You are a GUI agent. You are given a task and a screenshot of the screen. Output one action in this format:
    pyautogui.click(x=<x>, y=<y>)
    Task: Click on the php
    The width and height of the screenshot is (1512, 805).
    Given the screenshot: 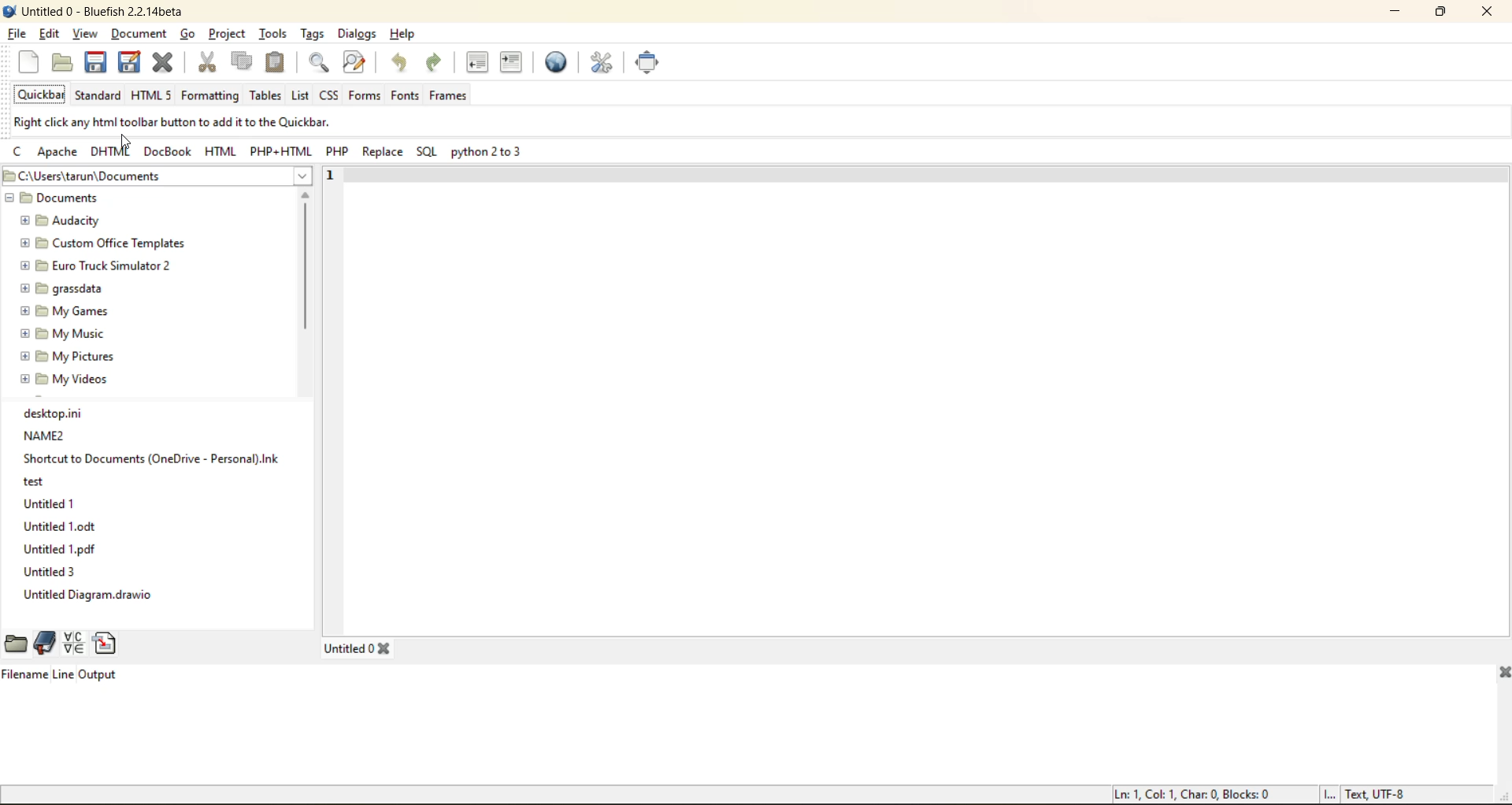 What is the action you would take?
    pyautogui.click(x=339, y=152)
    